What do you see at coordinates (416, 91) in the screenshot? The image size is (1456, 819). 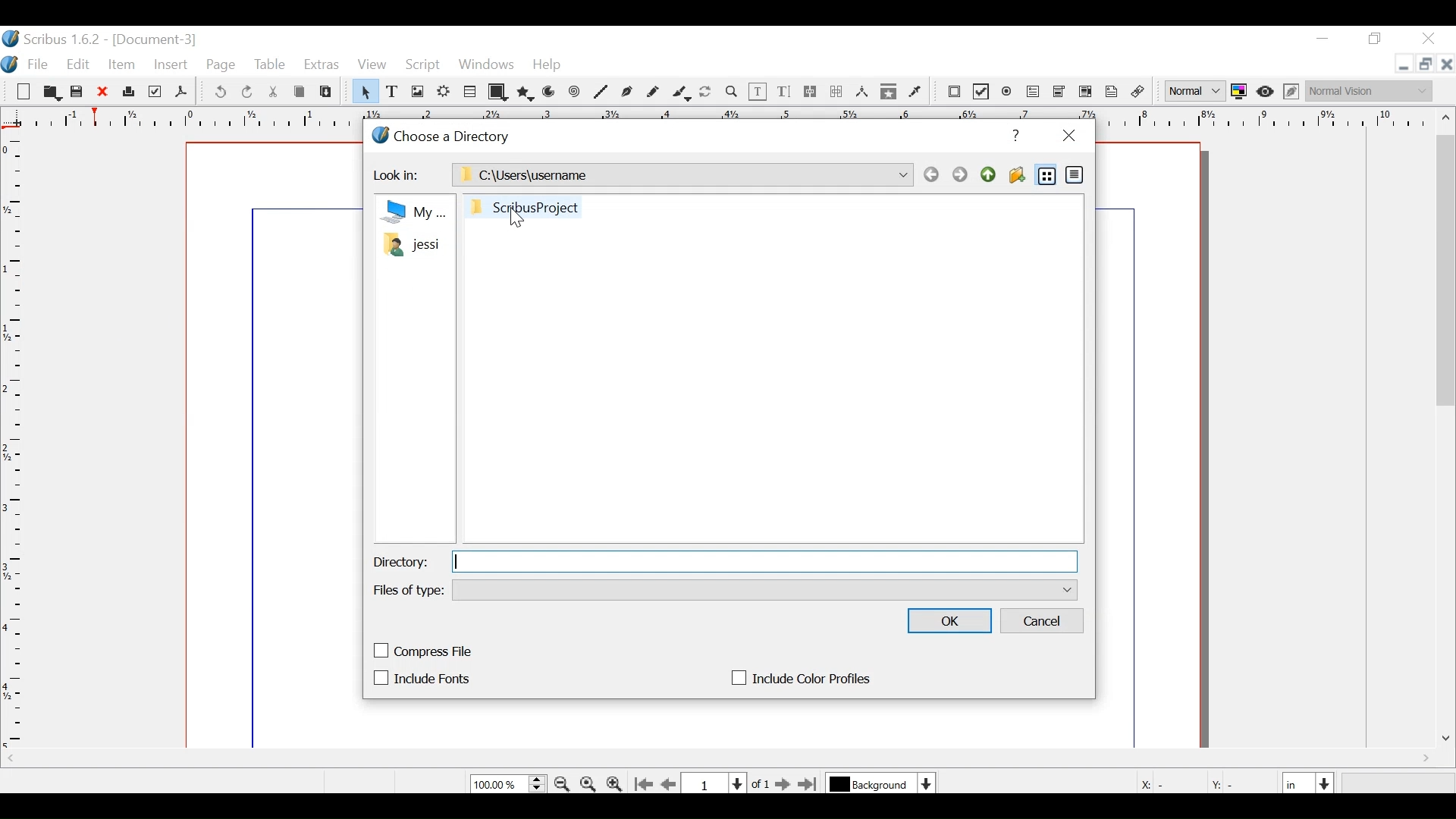 I see `Image frame` at bounding box center [416, 91].